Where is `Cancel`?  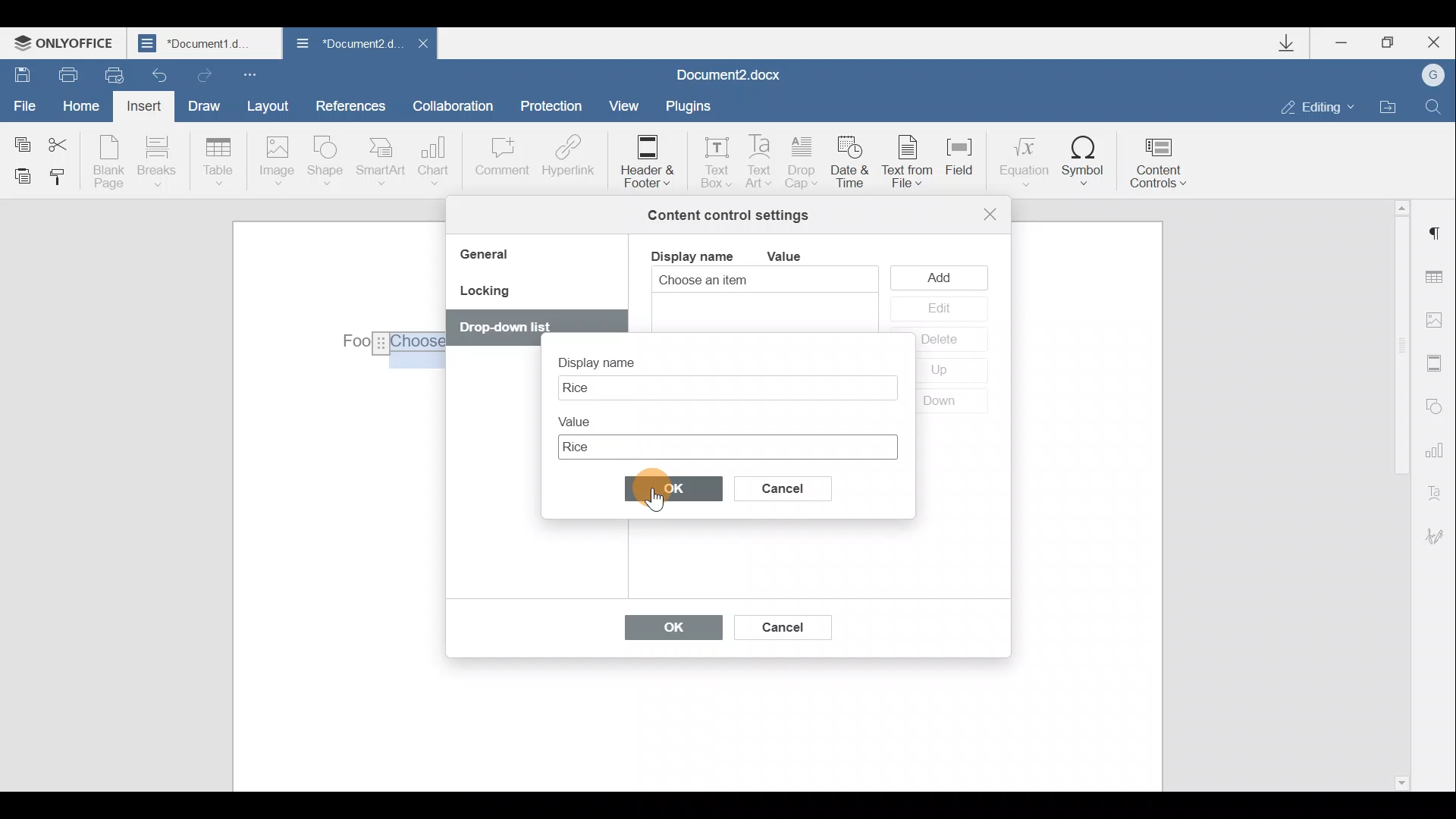
Cancel is located at coordinates (781, 624).